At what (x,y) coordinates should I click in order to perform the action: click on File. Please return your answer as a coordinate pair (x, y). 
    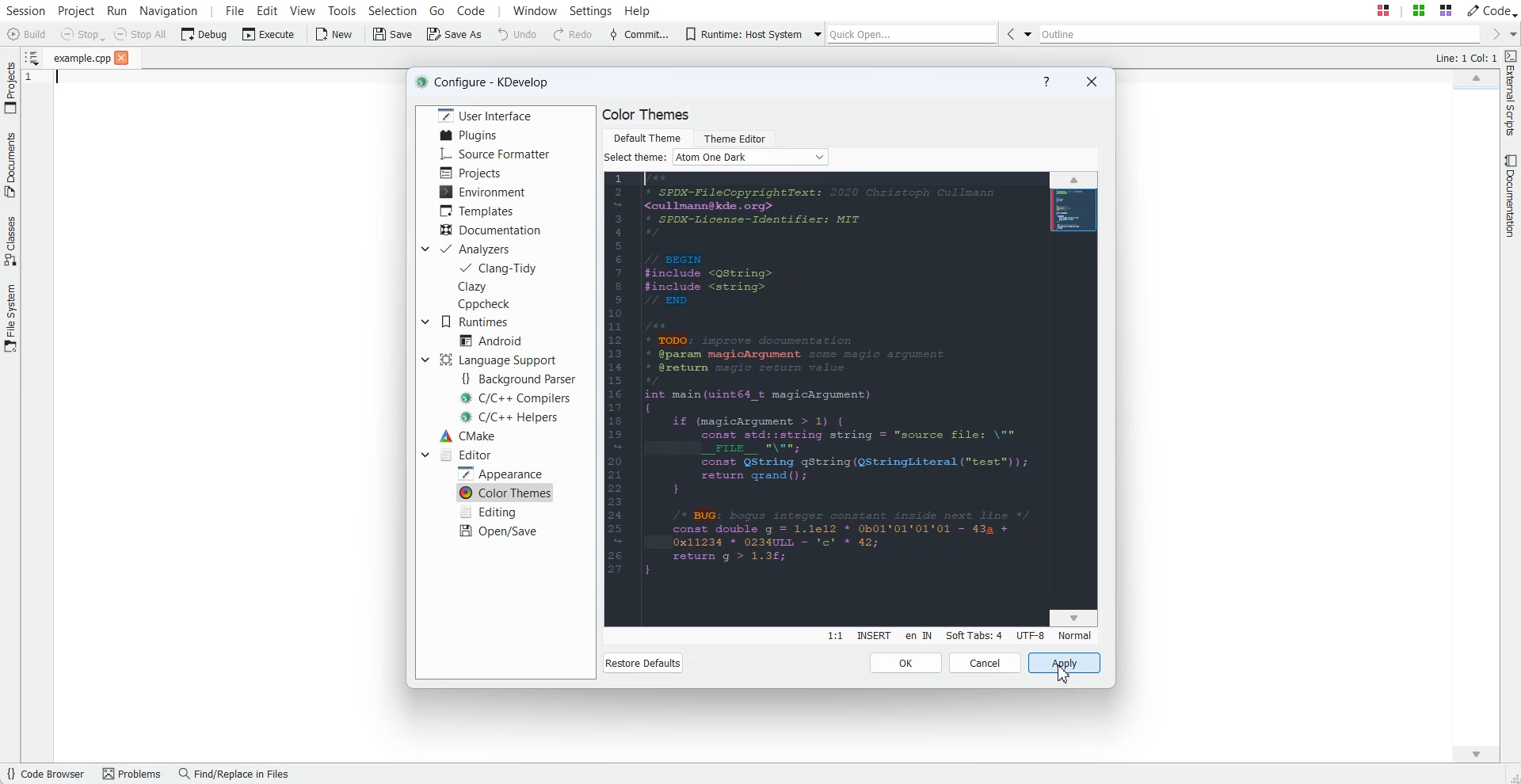
    Looking at the image, I should click on (82, 59).